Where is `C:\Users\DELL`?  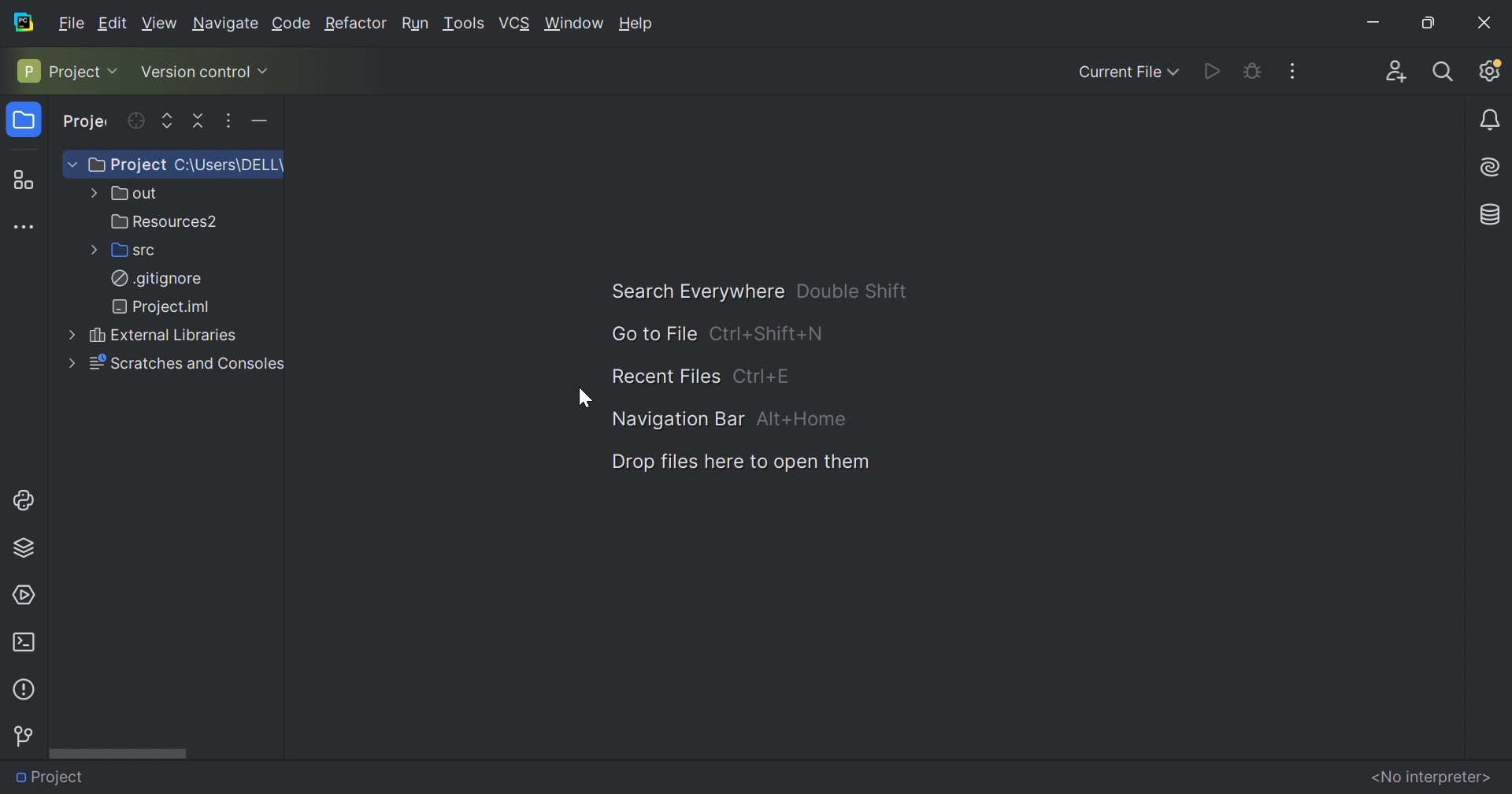
C:\Users\DELL is located at coordinates (230, 164).